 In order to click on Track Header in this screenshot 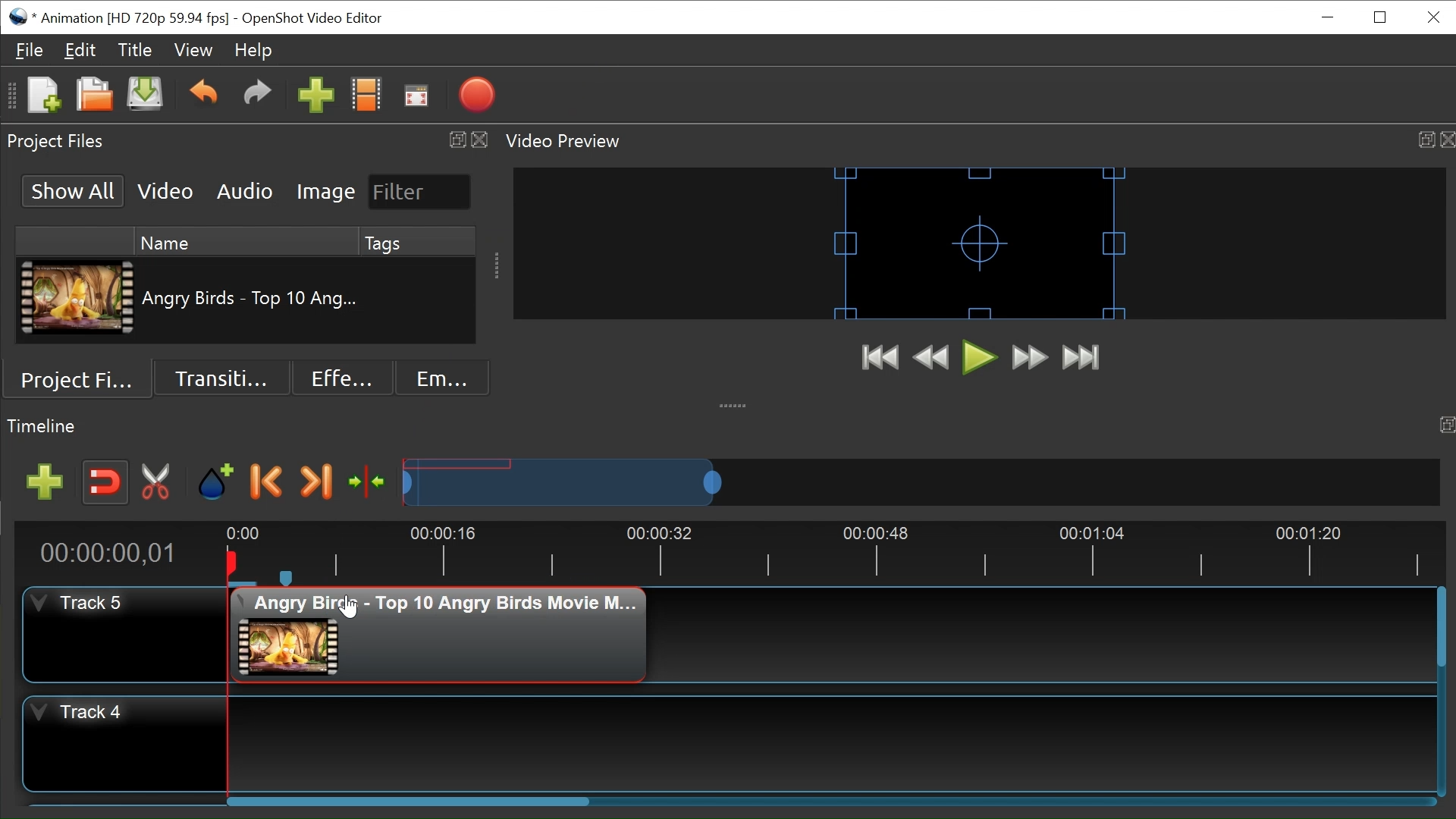, I will do `click(124, 742)`.